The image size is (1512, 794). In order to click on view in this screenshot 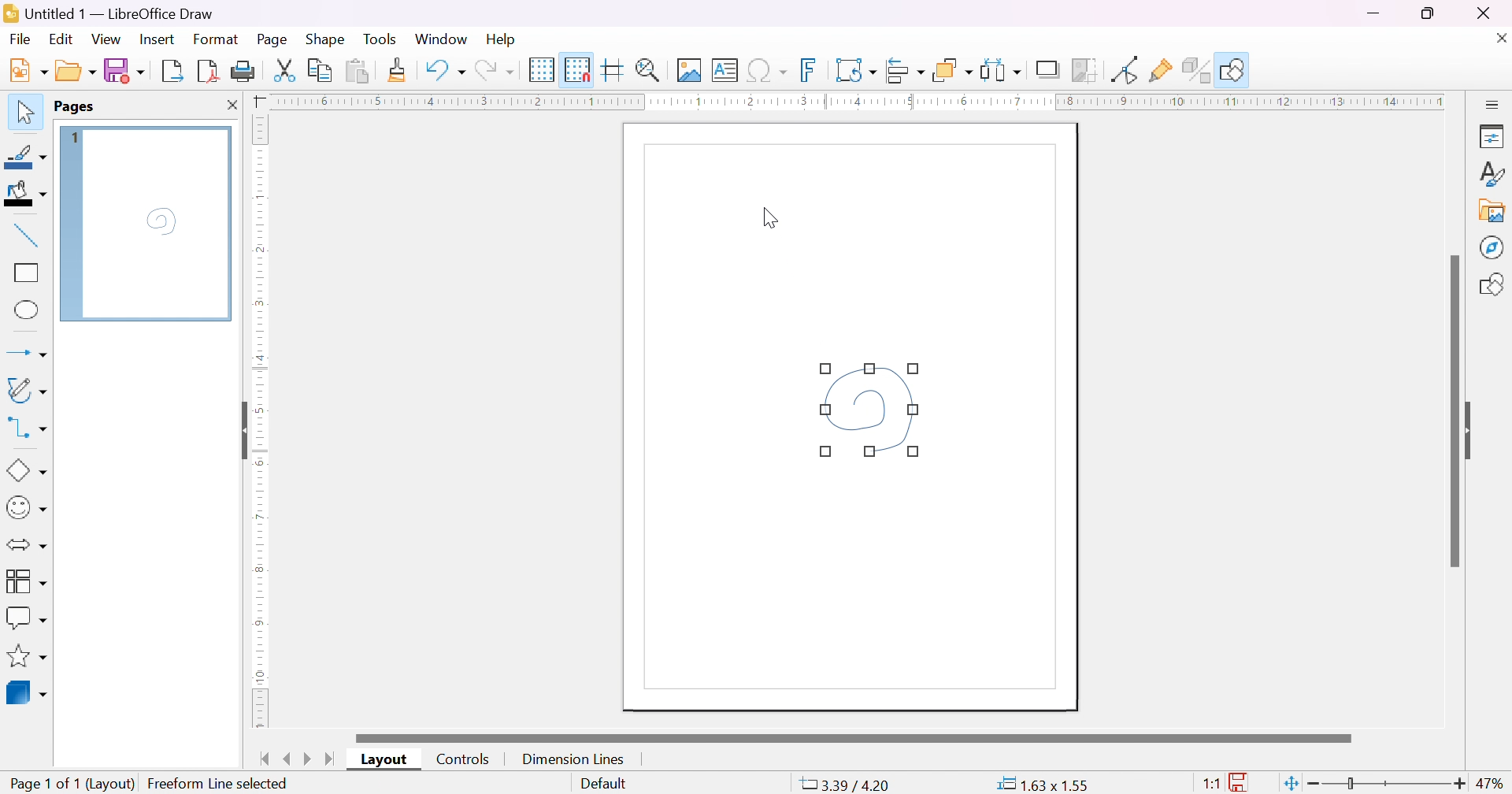, I will do `click(106, 39)`.